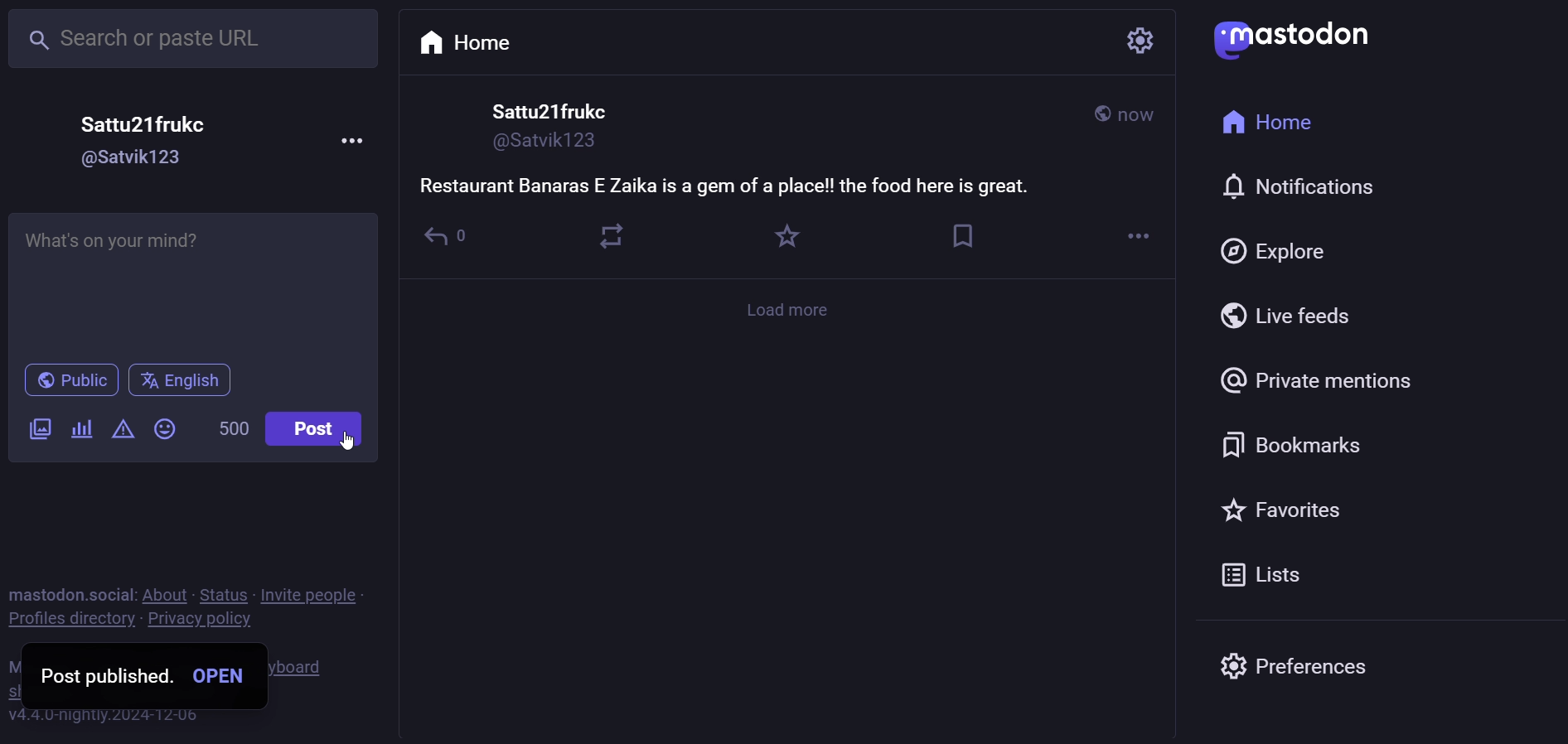 The image size is (1568, 744). What do you see at coordinates (780, 235) in the screenshot?
I see `favorite` at bounding box center [780, 235].